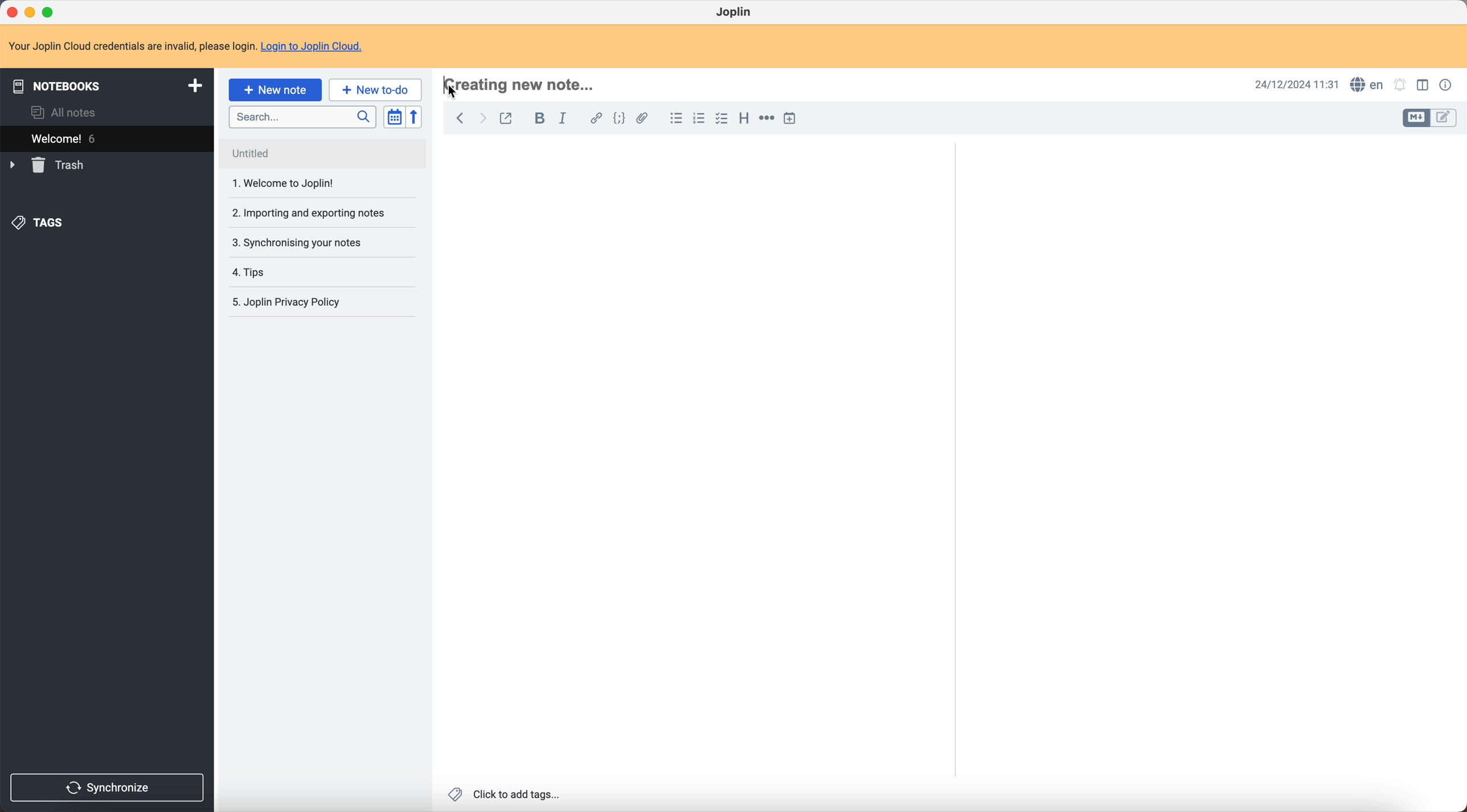 The width and height of the screenshot is (1467, 812). I want to click on 4. Tips, so click(284, 272).